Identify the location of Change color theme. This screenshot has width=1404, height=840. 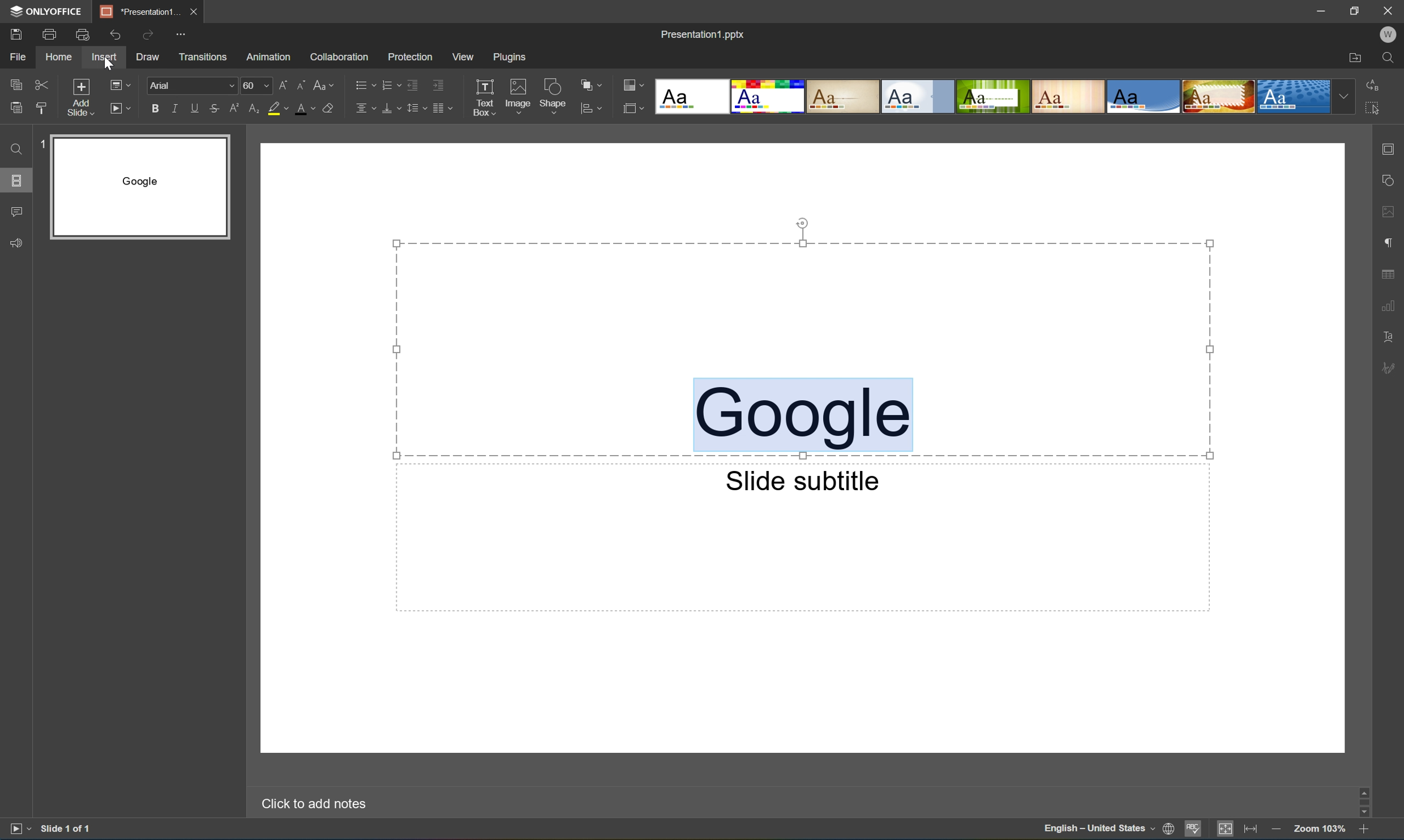
(633, 87).